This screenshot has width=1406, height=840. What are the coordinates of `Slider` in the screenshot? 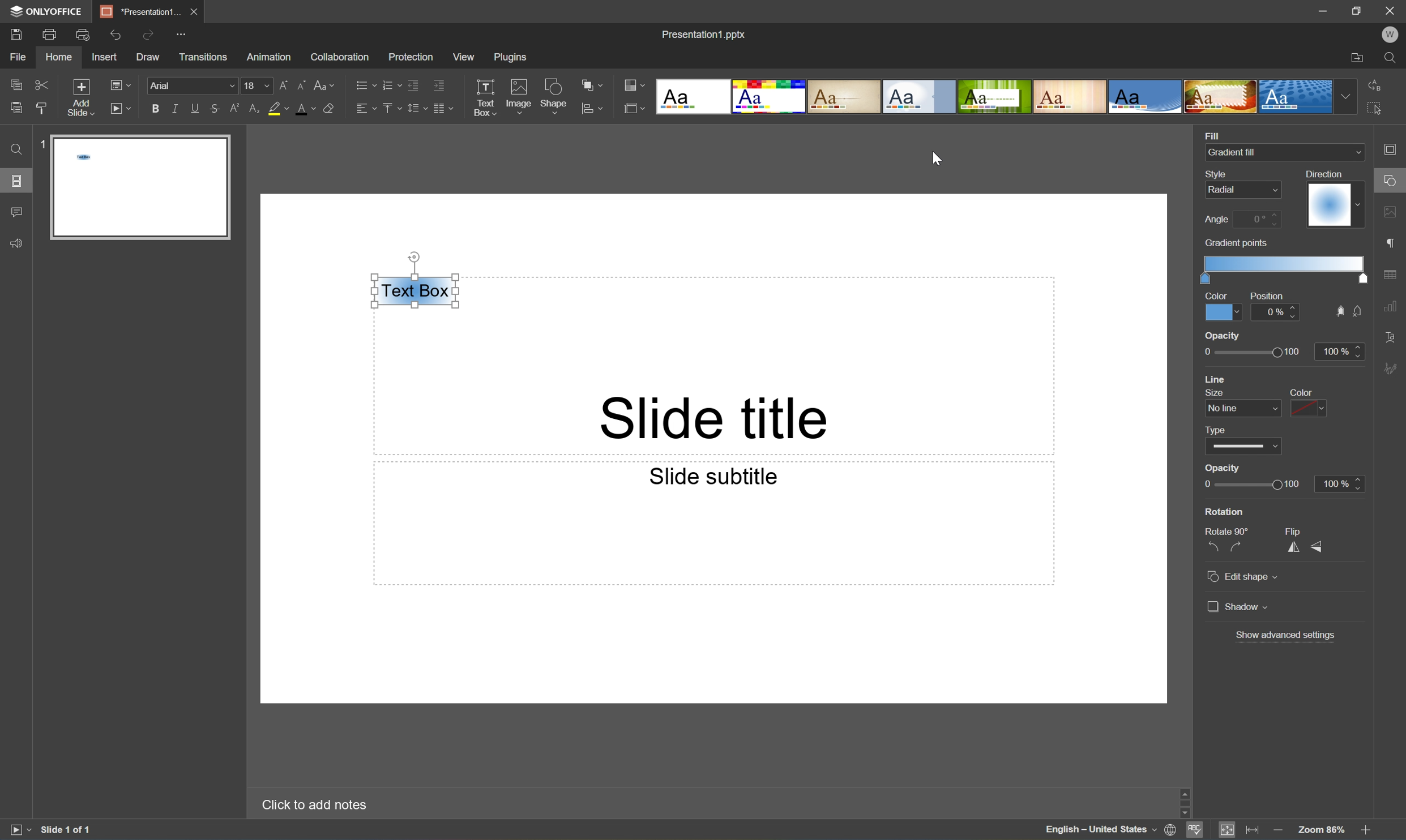 It's located at (1245, 446).